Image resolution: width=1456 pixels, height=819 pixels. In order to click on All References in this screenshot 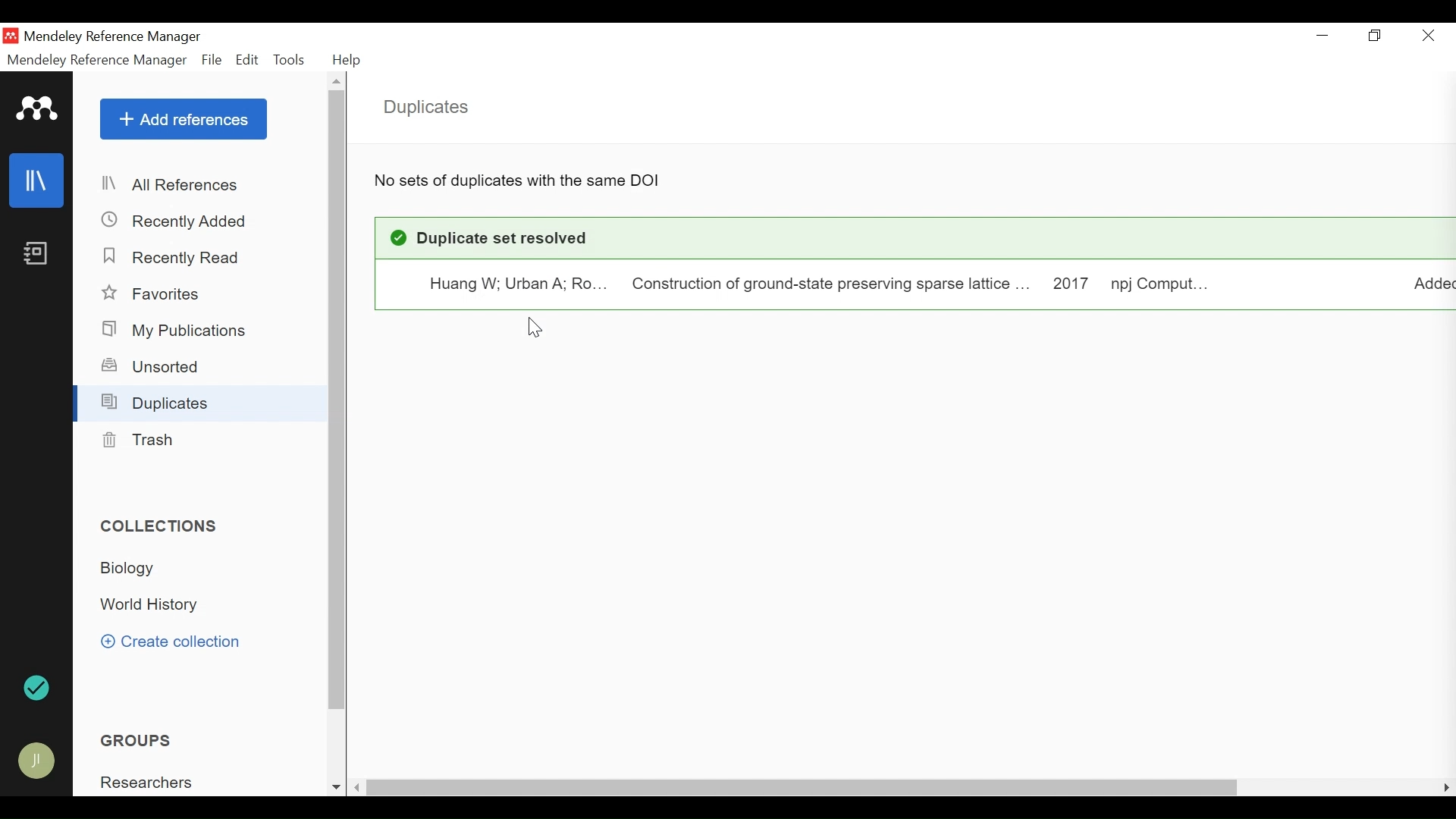, I will do `click(199, 186)`.